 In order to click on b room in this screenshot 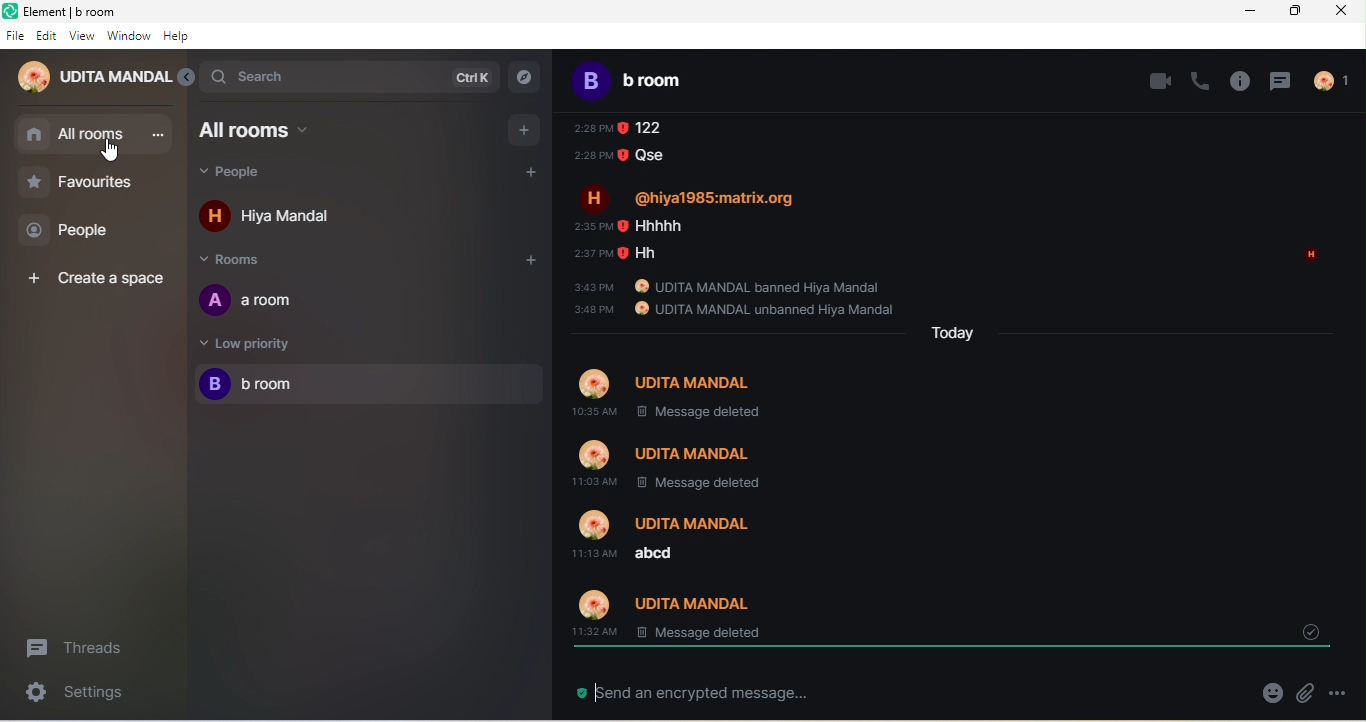, I will do `click(648, 83)`.